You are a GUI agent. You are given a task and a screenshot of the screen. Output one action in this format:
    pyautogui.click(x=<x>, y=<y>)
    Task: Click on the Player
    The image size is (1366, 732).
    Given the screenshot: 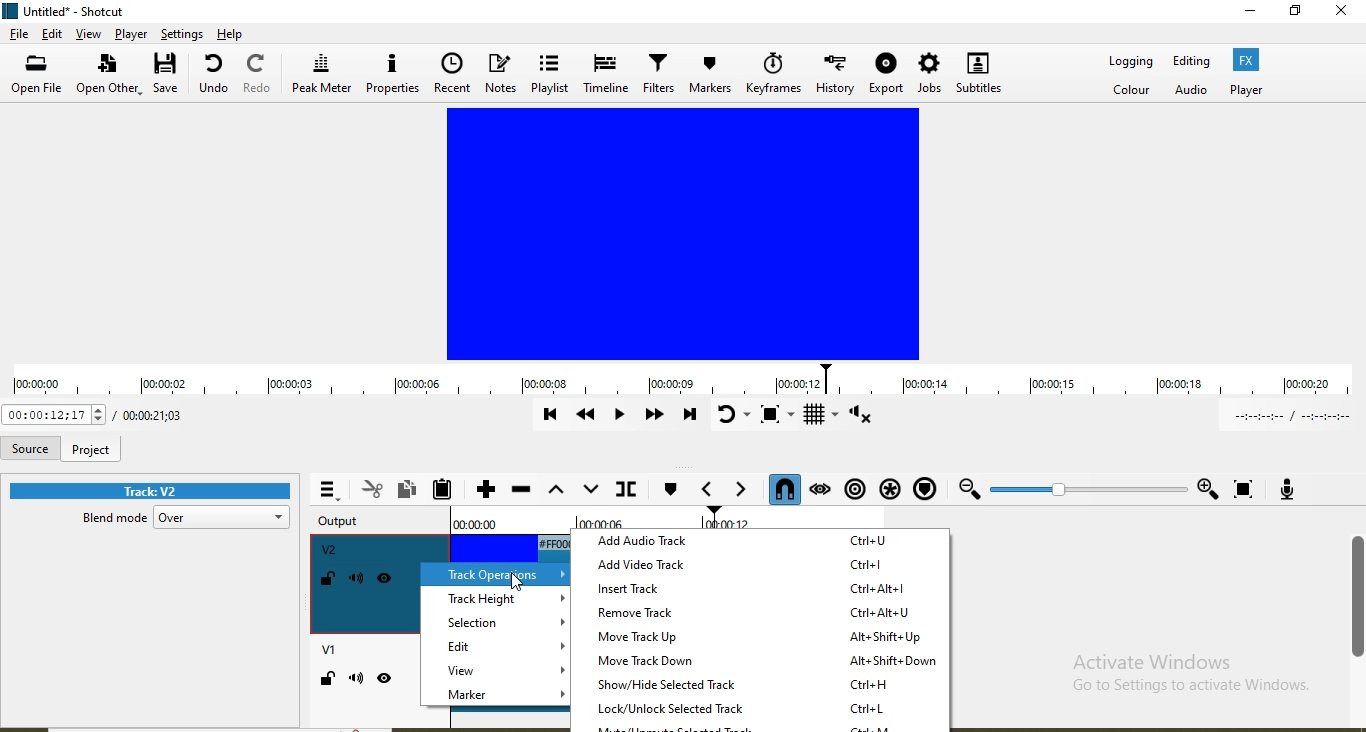 What is the action you would take?
    pyautogui.click(x=131, y=34)
    